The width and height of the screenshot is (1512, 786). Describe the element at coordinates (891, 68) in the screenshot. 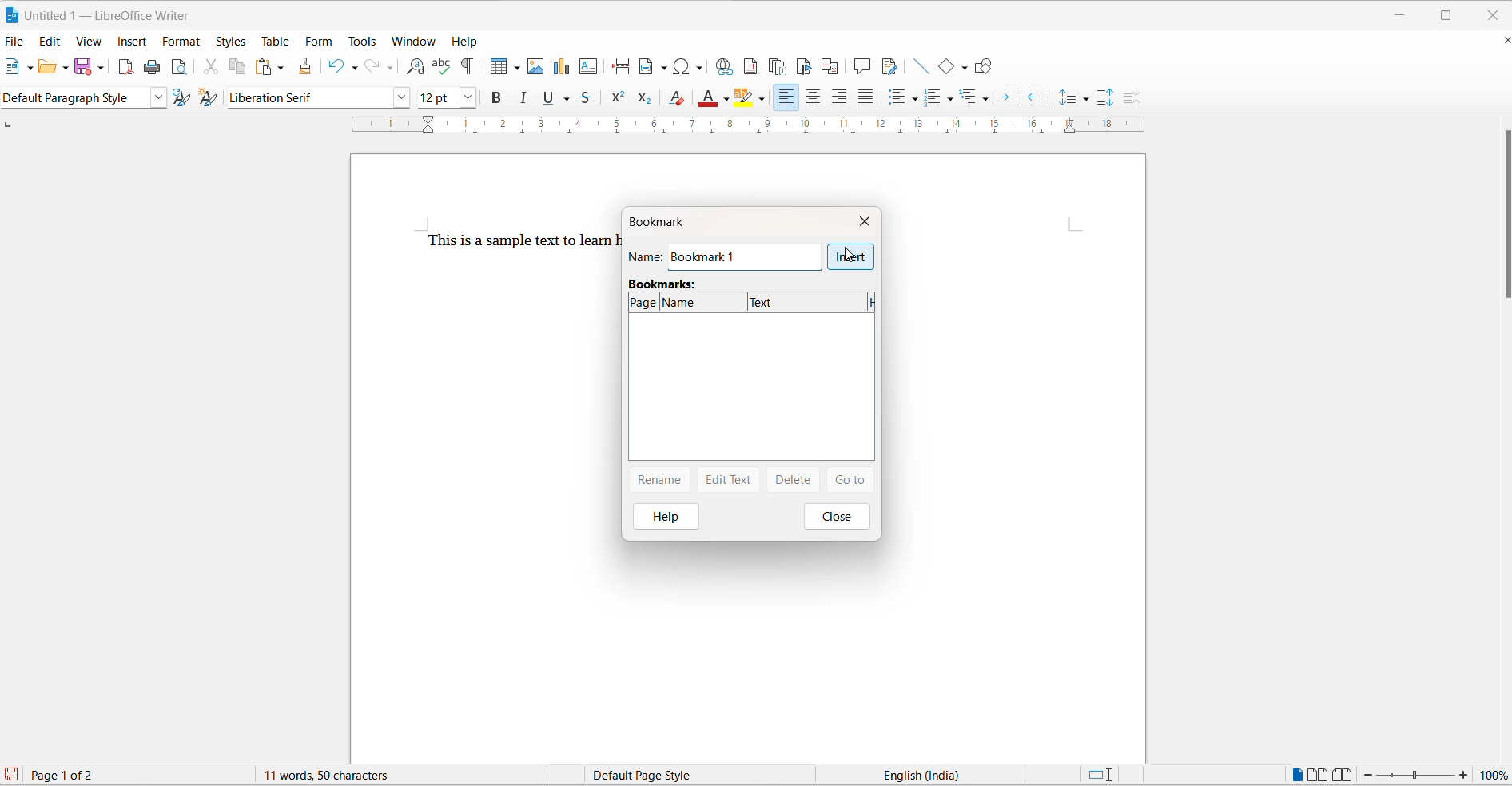

I see `track changes` at that location.